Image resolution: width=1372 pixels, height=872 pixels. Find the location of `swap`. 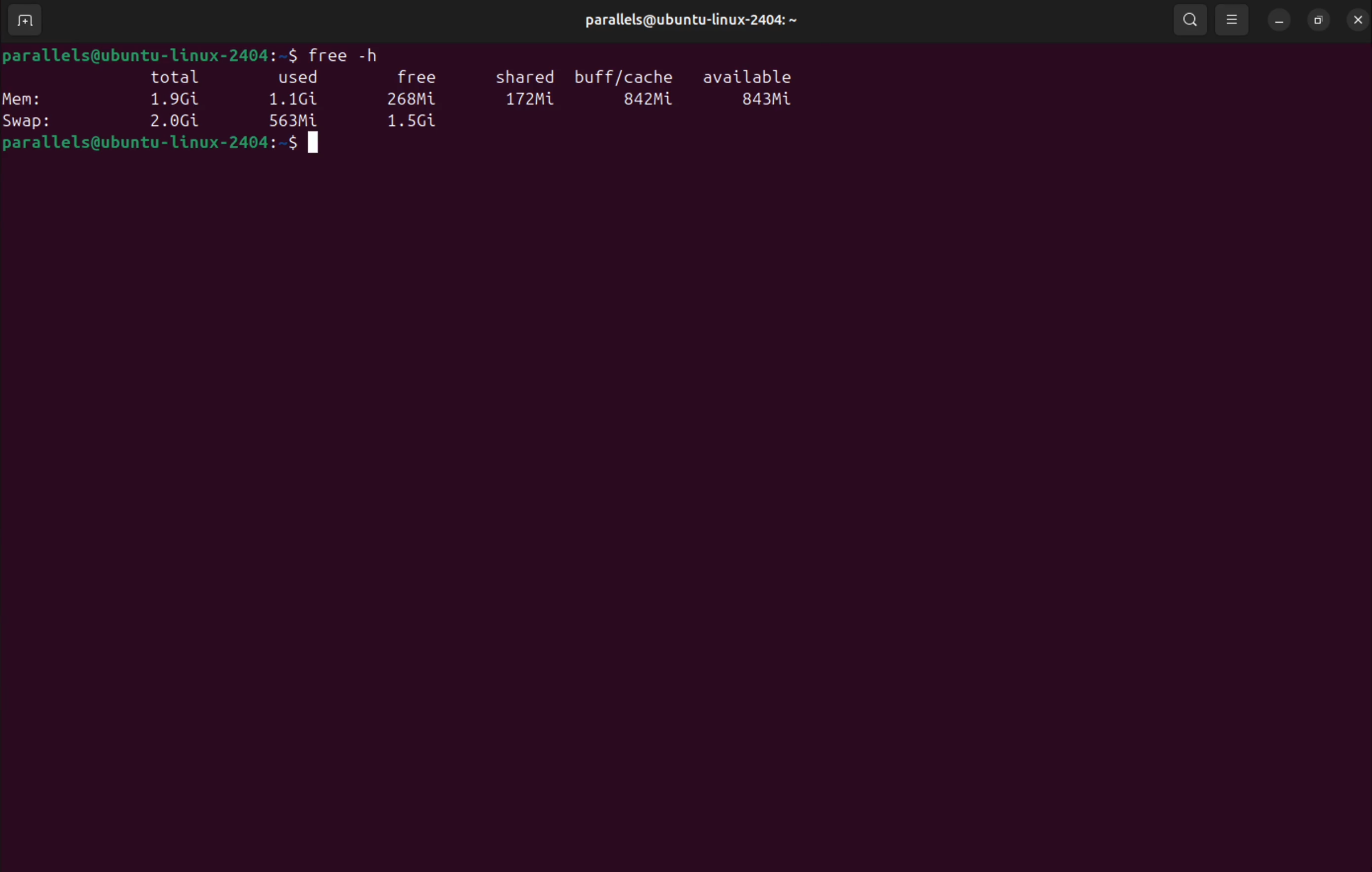

swap is located at coordinates (35, 121).